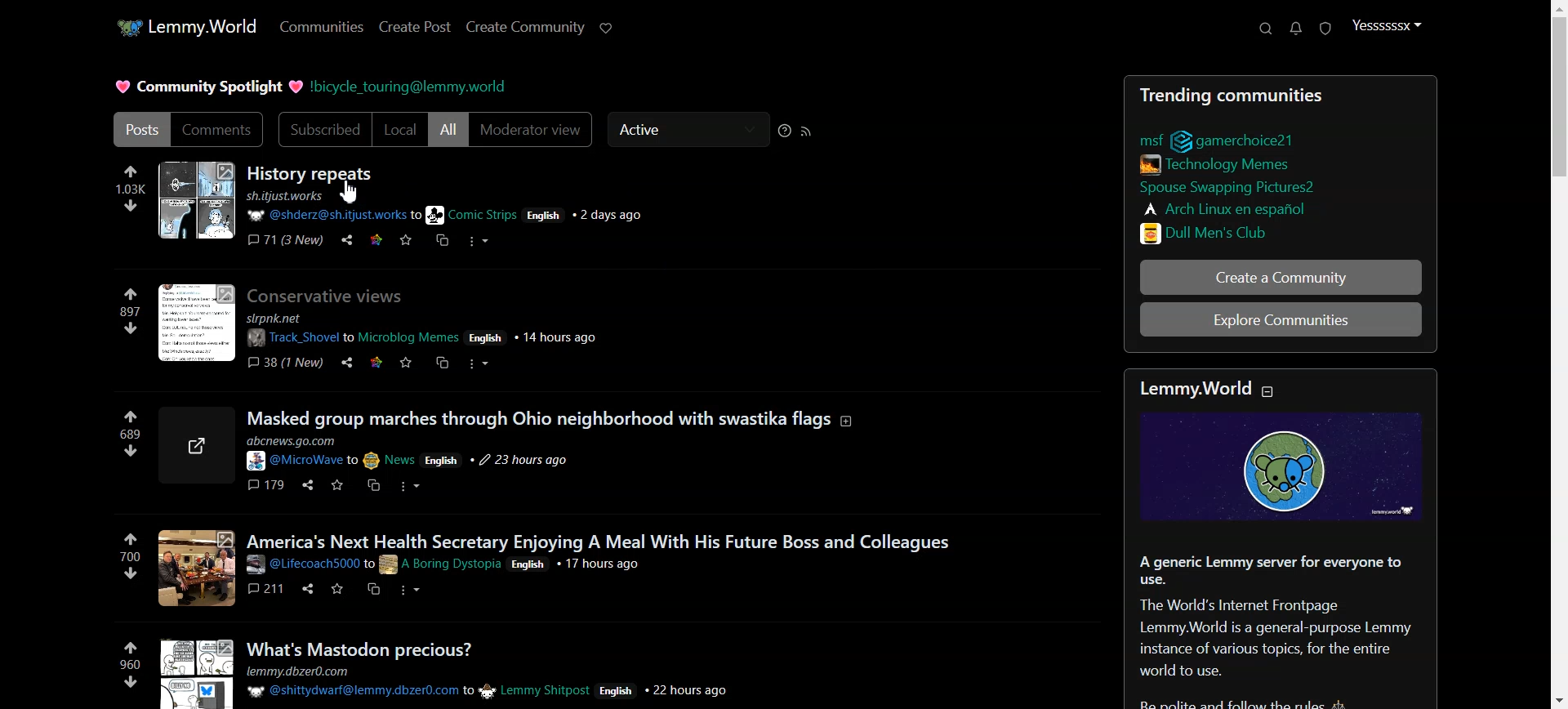  Describe the element at coordinates (266, 588) in the screenshot. I see `211` at that location.